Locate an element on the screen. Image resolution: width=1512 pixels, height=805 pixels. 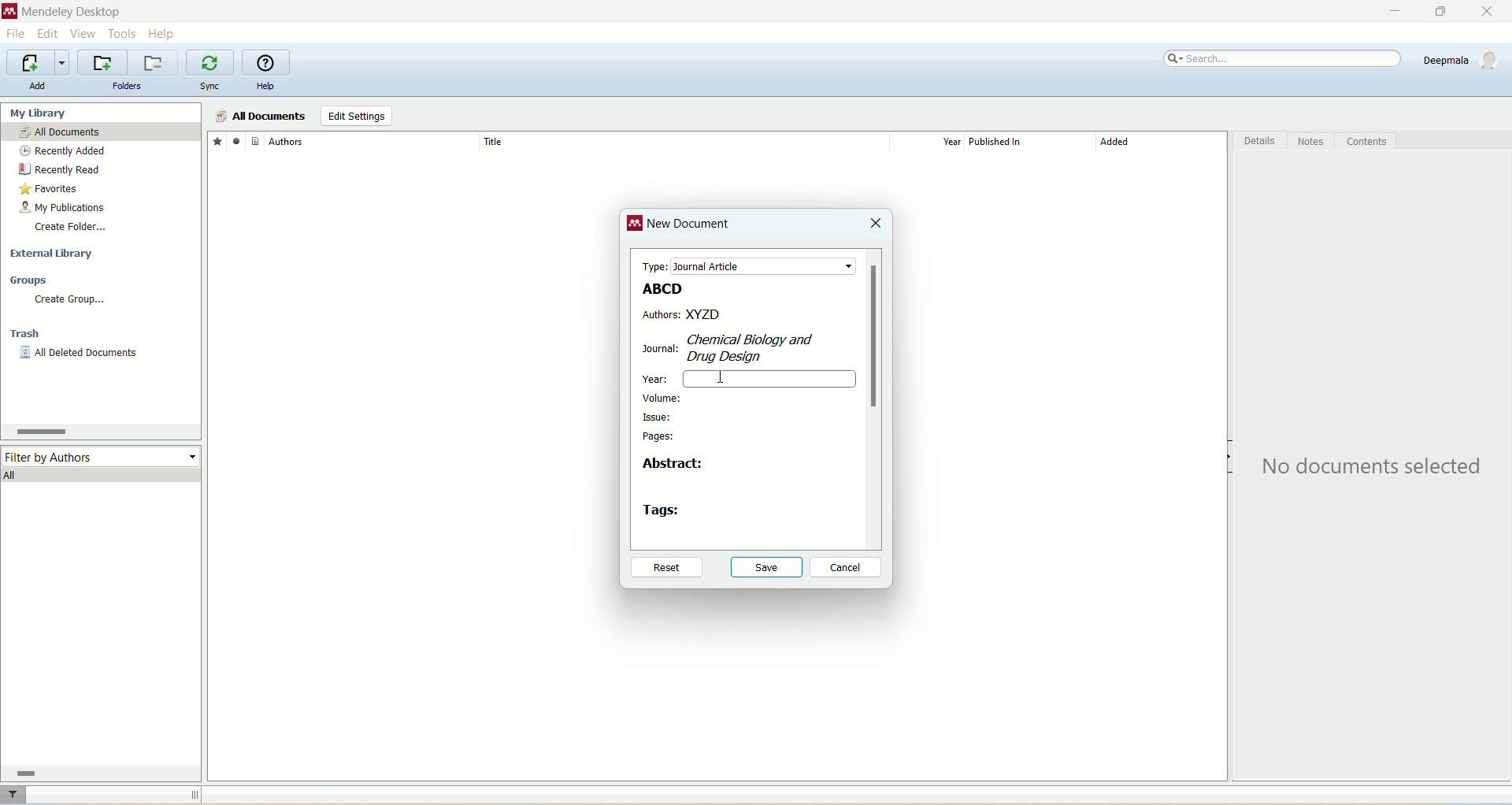
document is located at coordinates (255, 140).